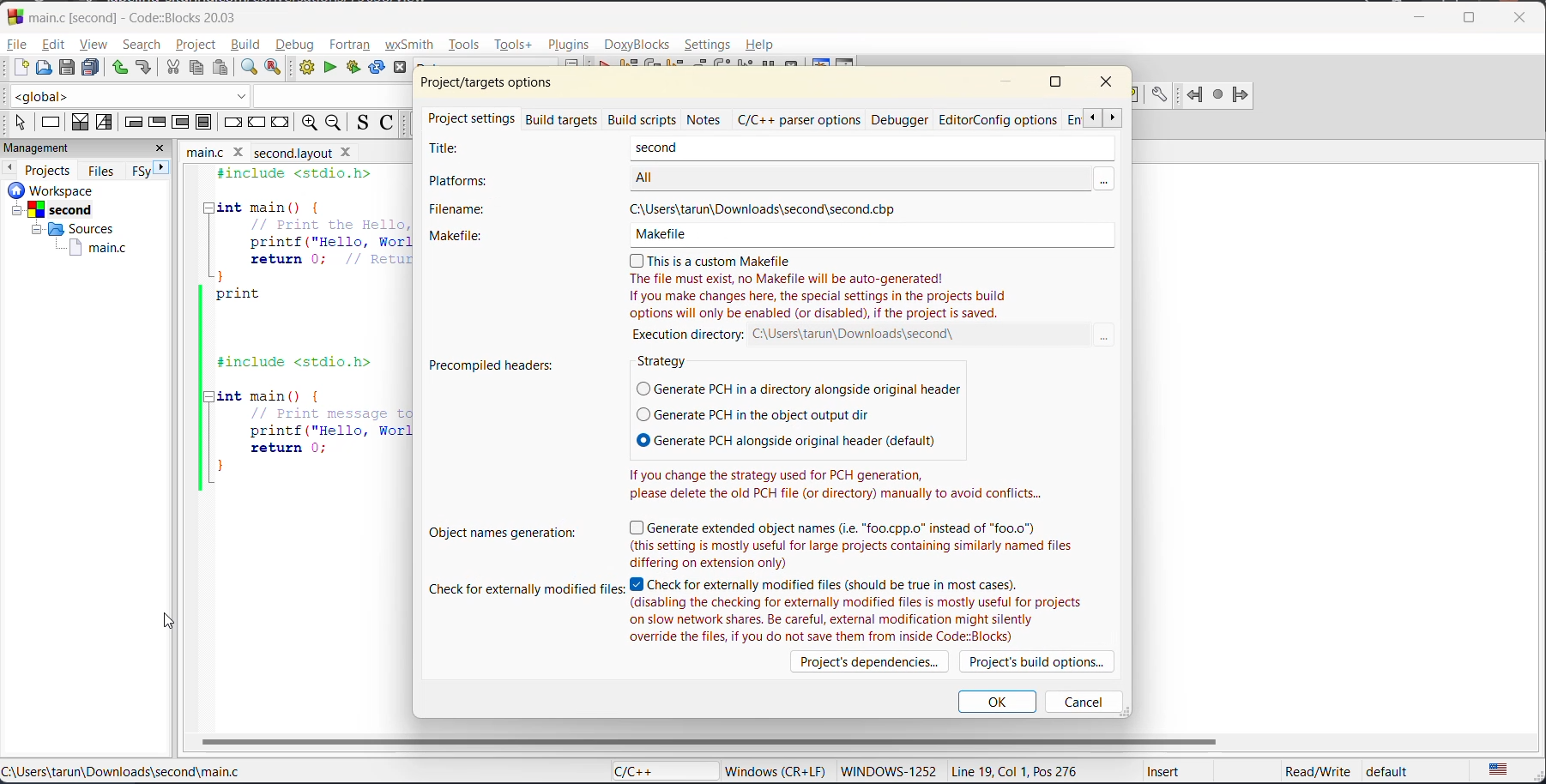  I want to click on scroll next, so click(1114, 118).